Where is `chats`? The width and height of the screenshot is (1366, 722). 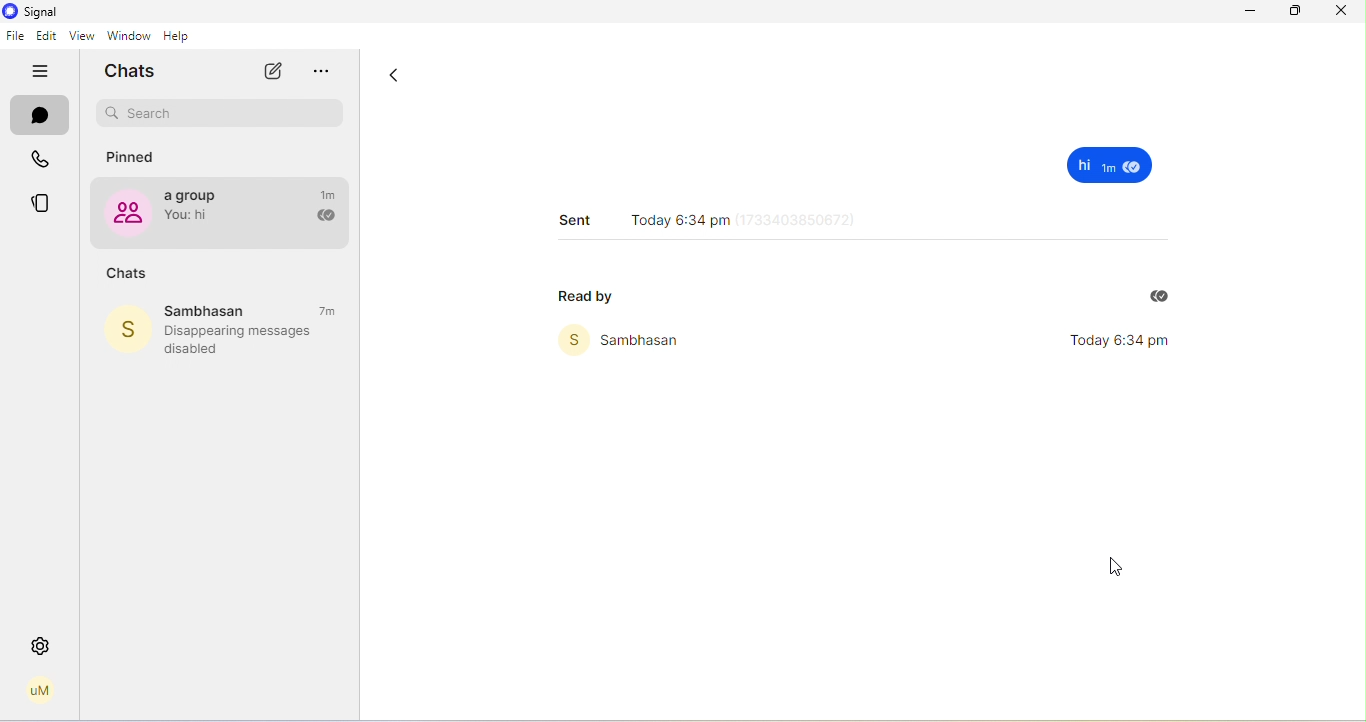
chats is located at coordinates (136, 71).